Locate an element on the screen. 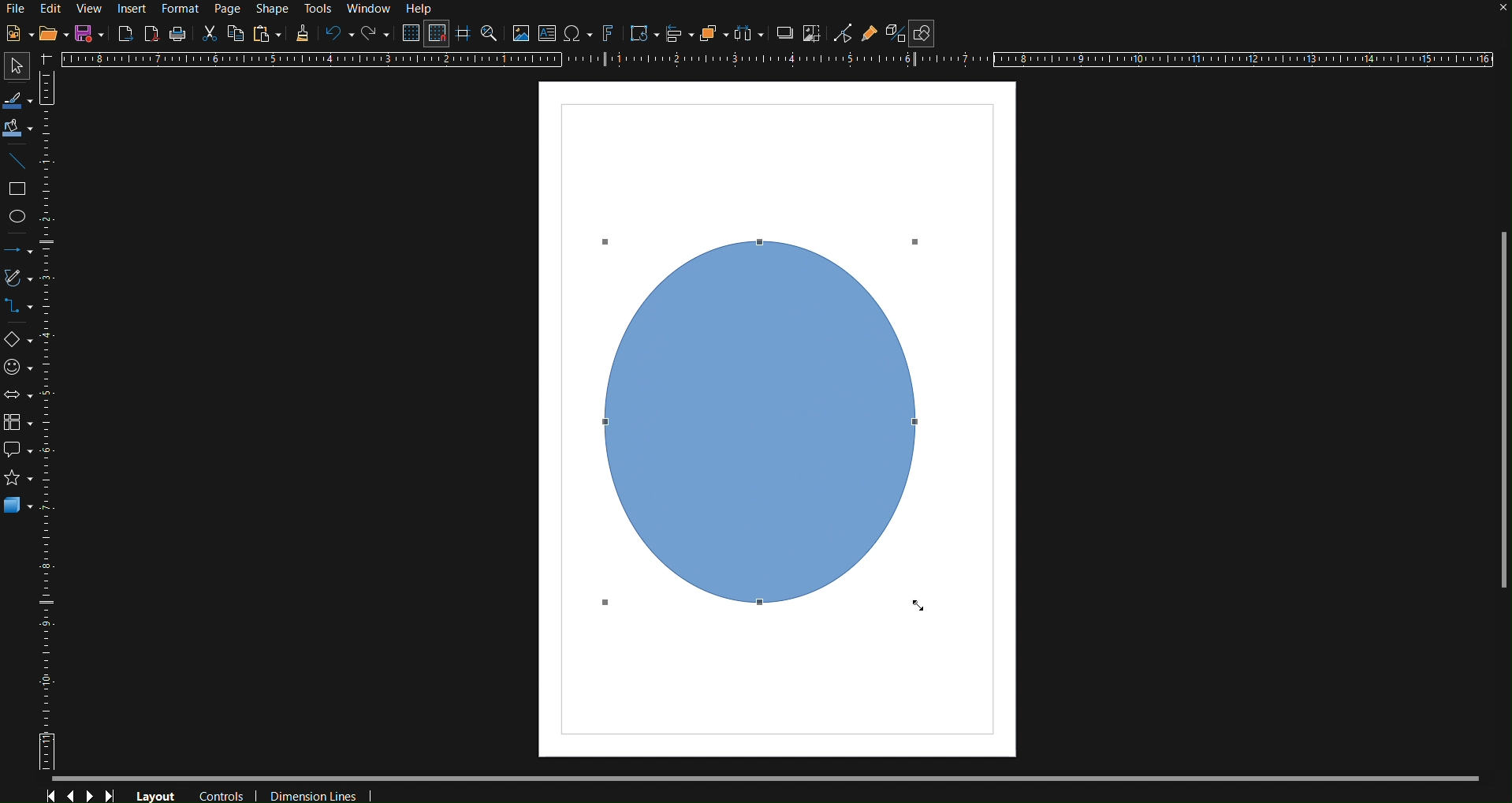 This screenshot has width=1512, height=803. Show Draw Functions is located at coordinates (921, 34).